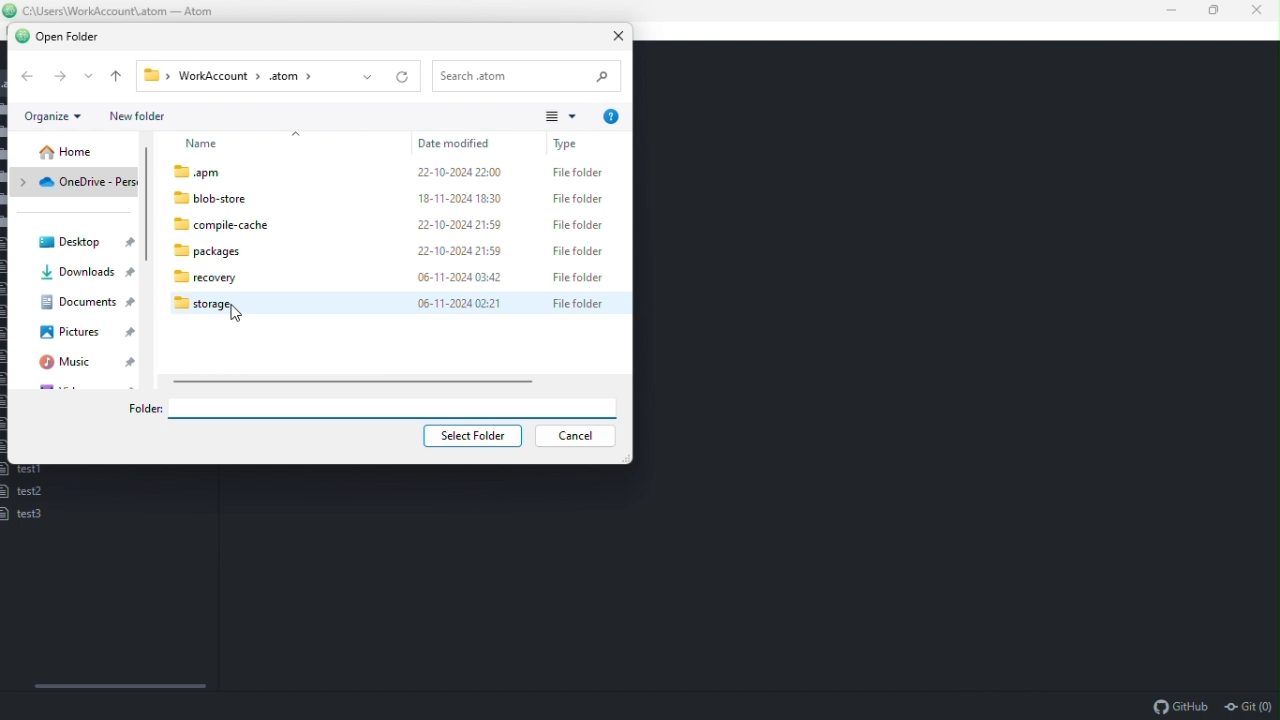 Image resolution: width=1280 pixels, height=720 pixels. What do you see at coordinates (24, 492) in the screenshot?
I see `test2` at bounding box center [24, 492].